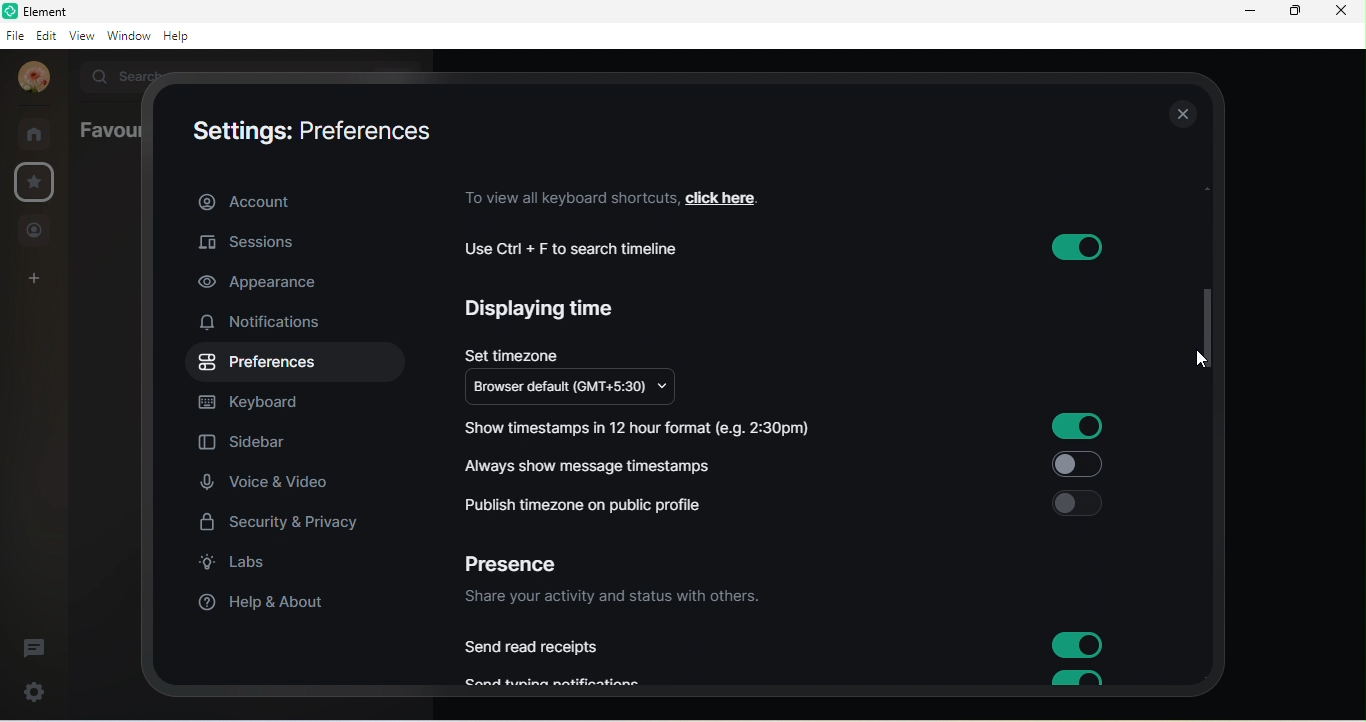  I want to click on labs, so click(244, 567).